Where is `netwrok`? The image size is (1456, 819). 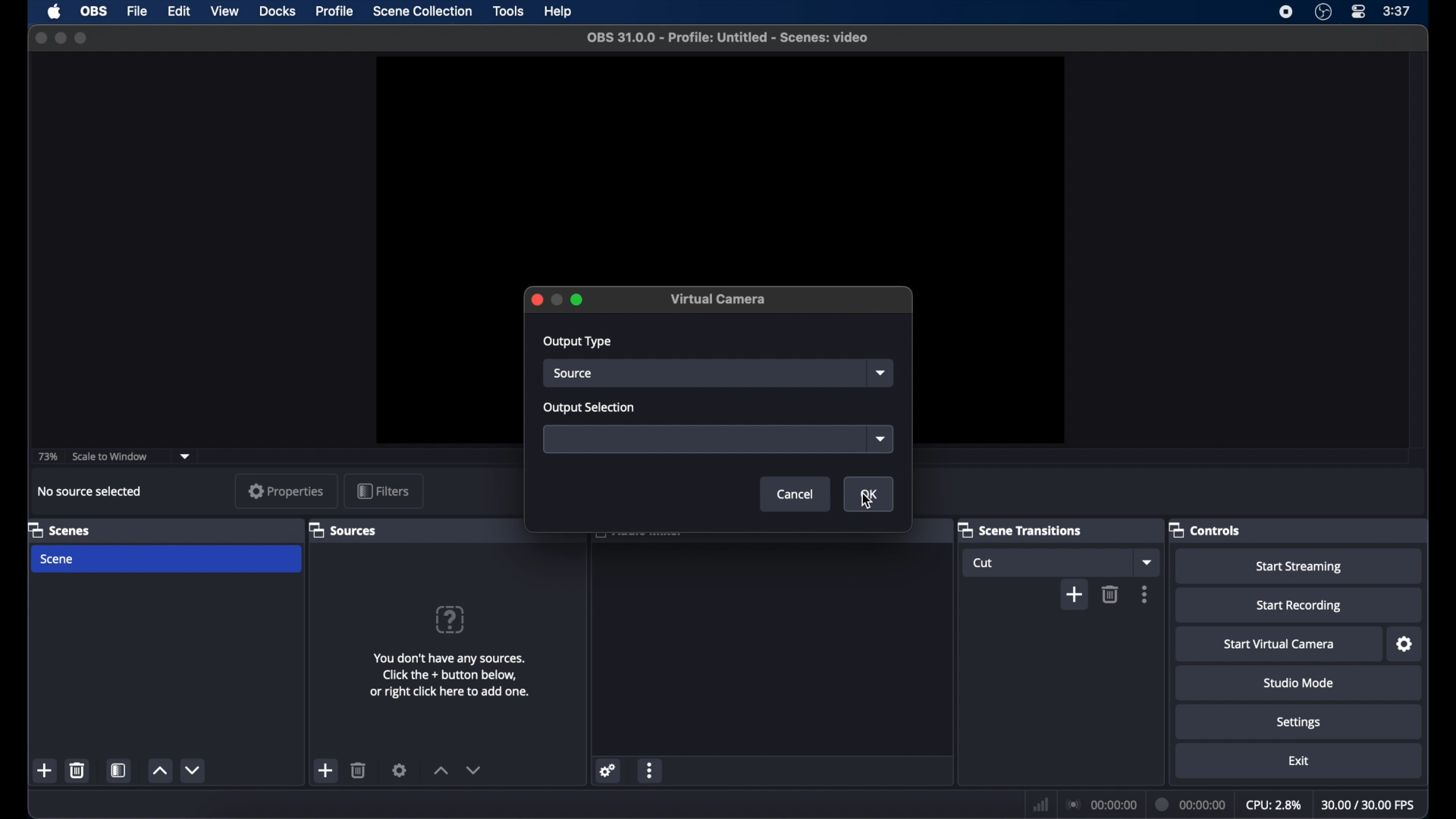 netwrok is located at coordinates (1039, 803).